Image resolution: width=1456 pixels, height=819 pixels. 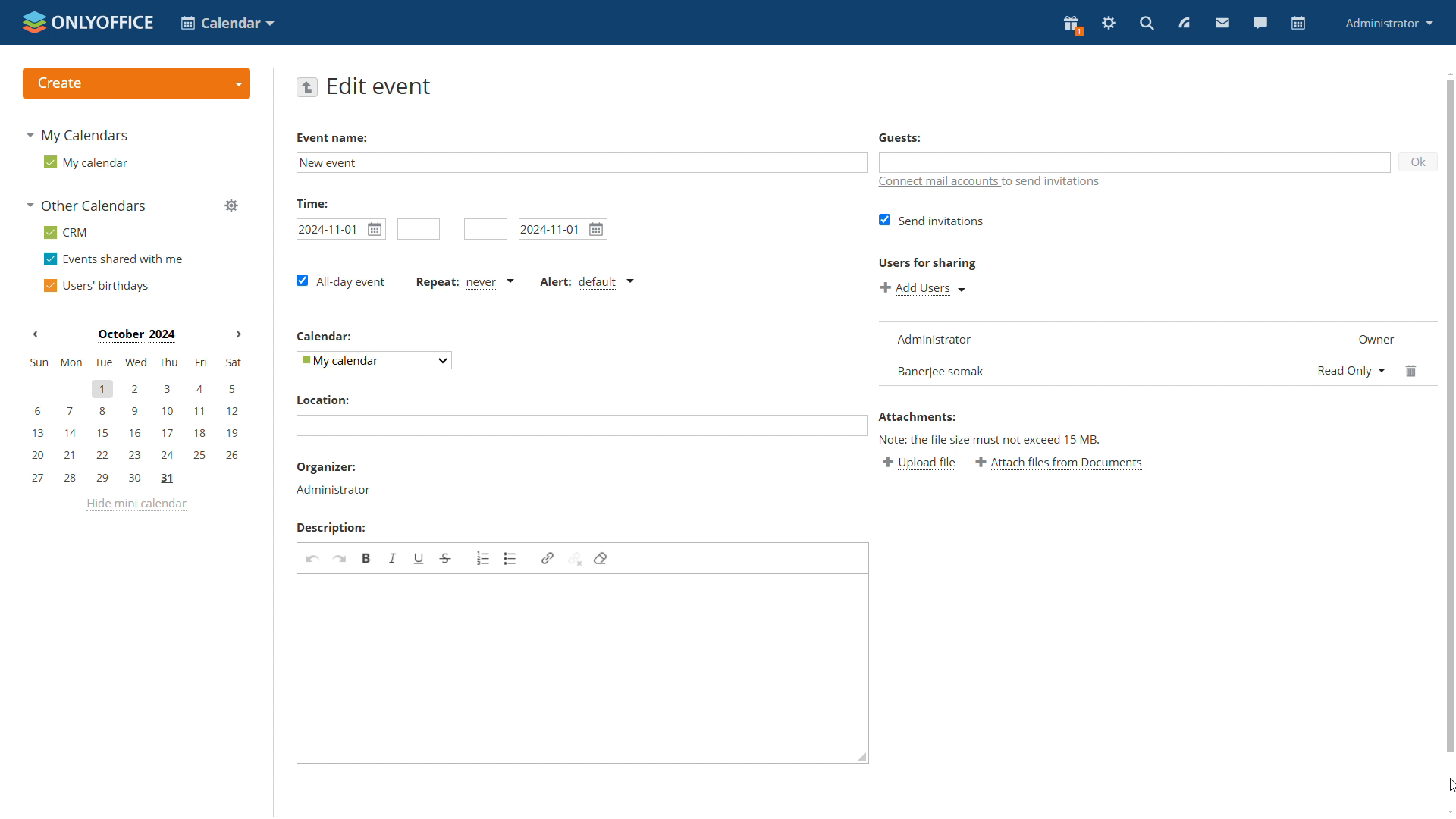 What do you see at coordinates (1059, 463) in the screenshot?
I see `attach files from documents` at bounding box center [1059, 463].